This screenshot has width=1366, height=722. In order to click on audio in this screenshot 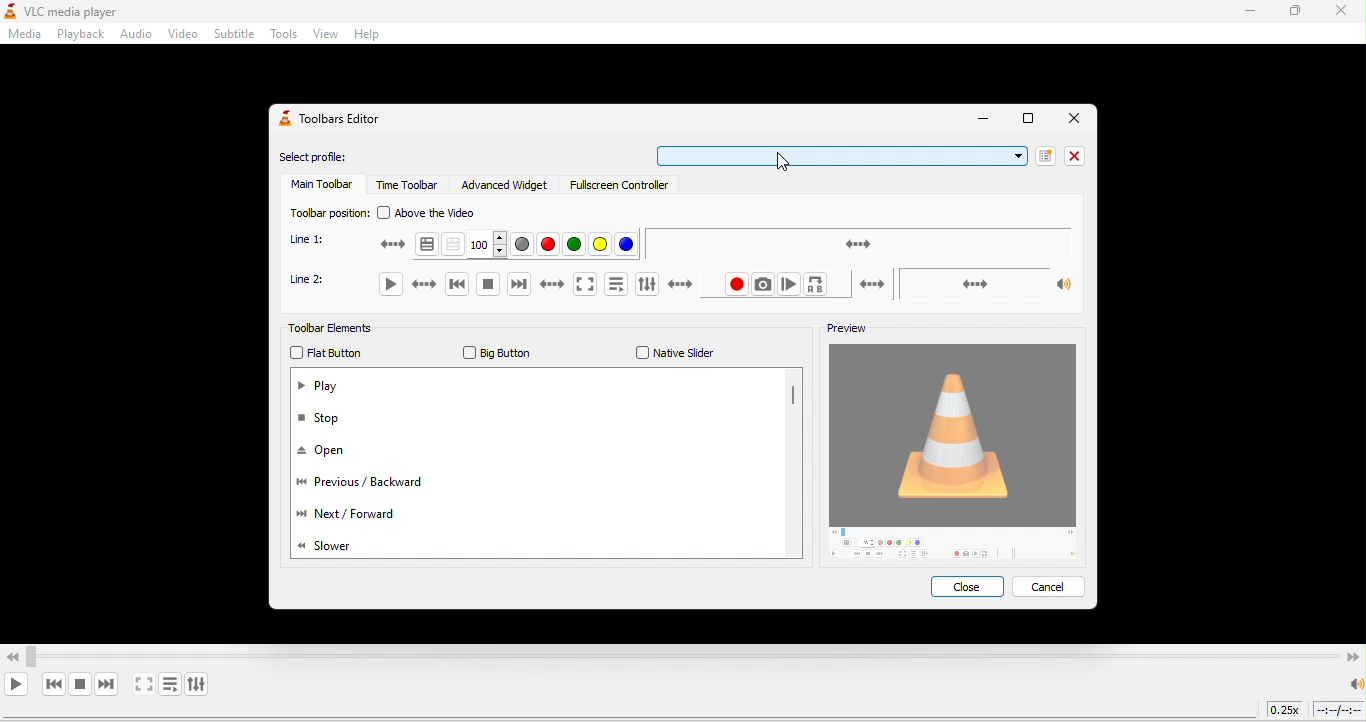, I will do `click(135, 36)`.